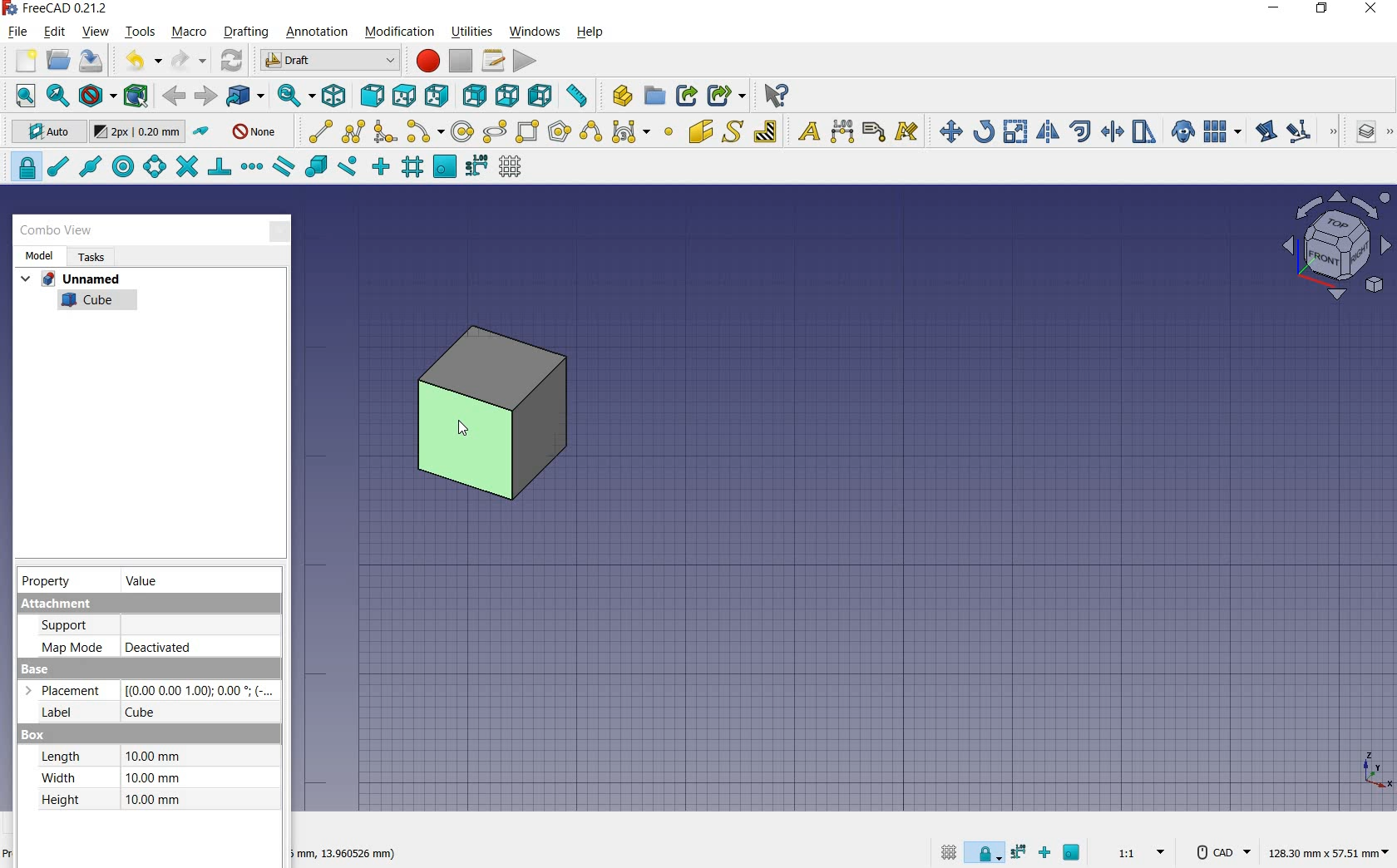 The height and width of the screenshot is (868, 1397). What do you see at coordinates (630, 133) in the screenshot?
I see `Bezier tools` at bounding box center [630, 133].